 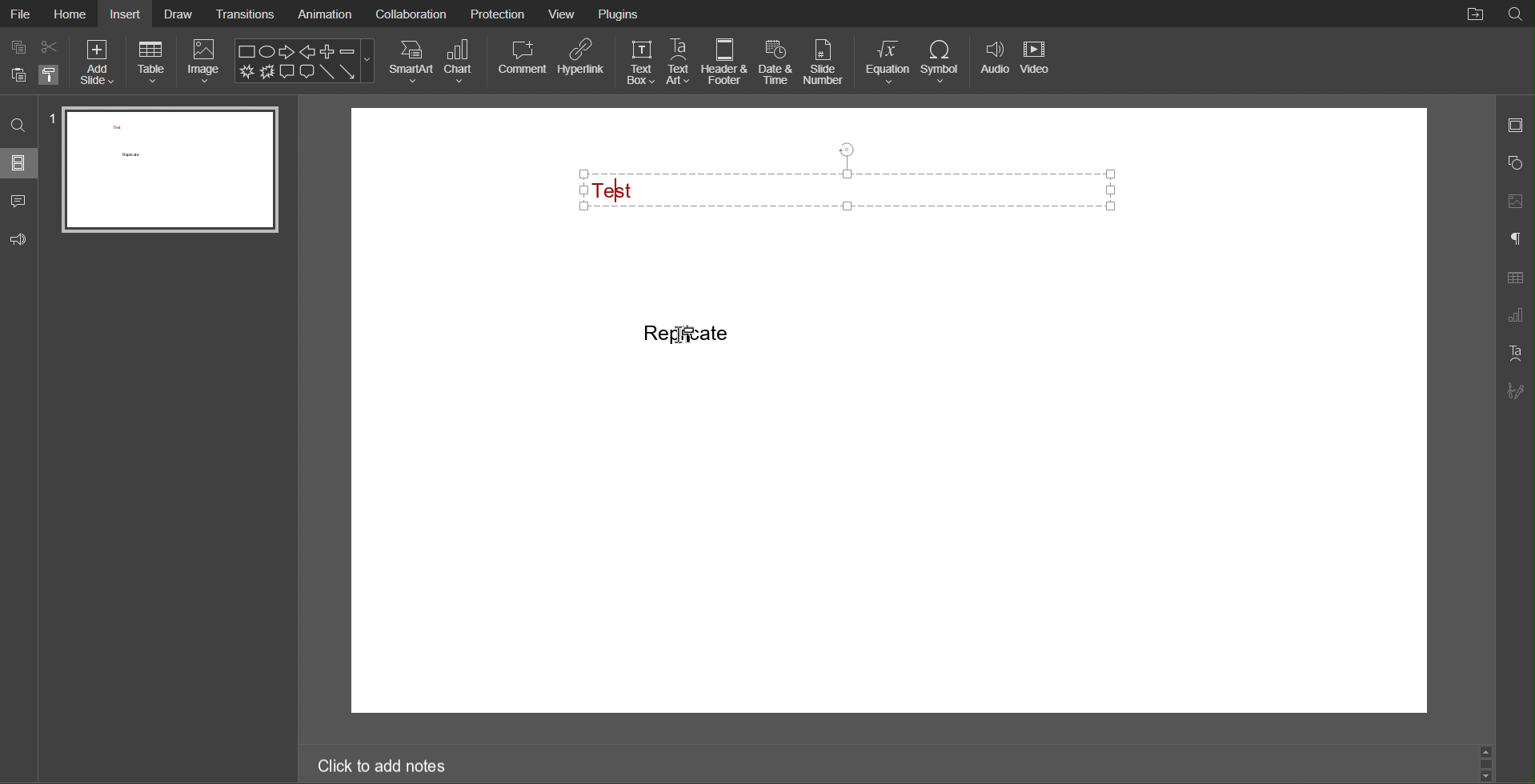 I want to click on Chart, so click(x=463, y=62).